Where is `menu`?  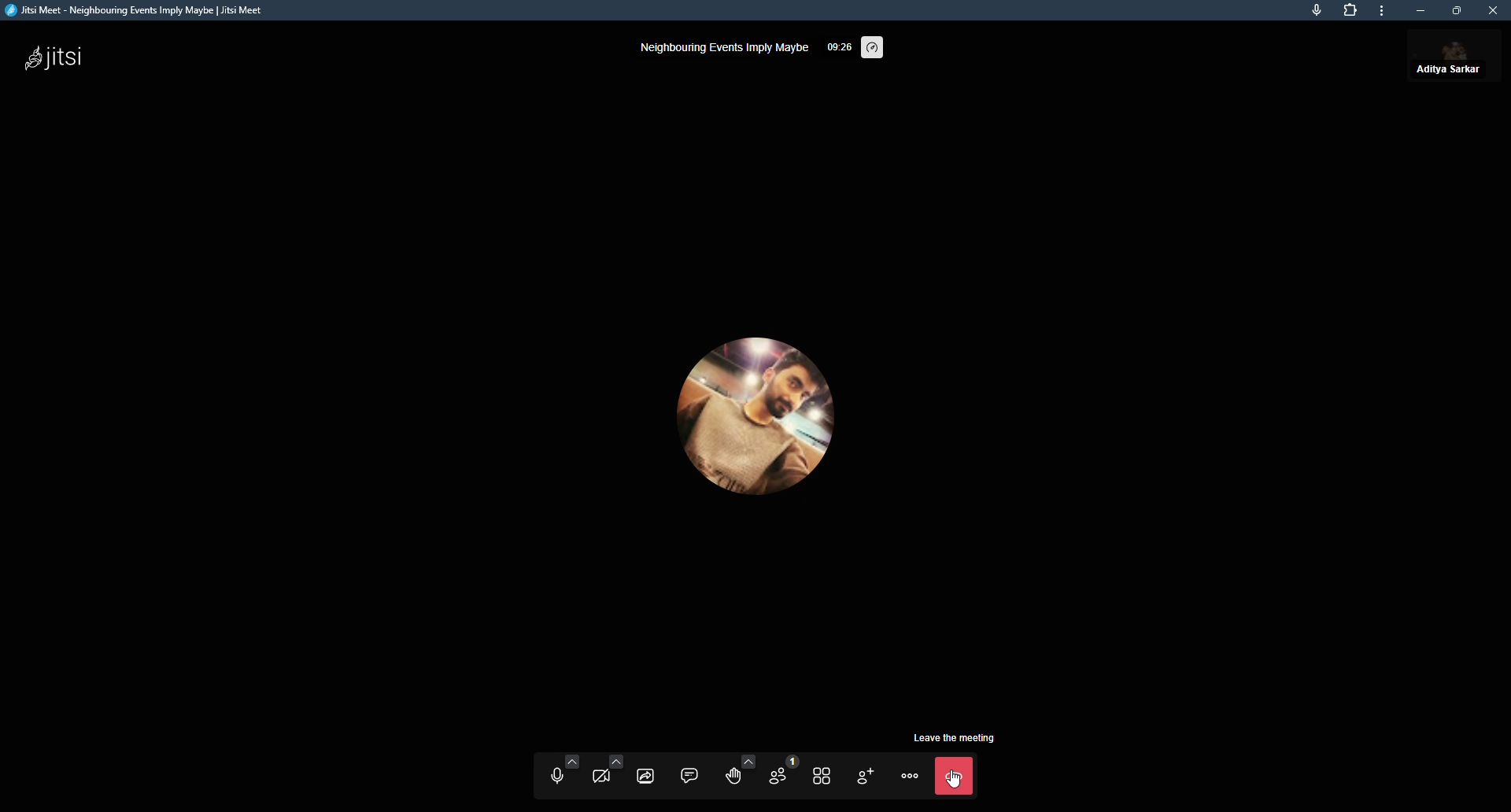 menu is located at coordinates (1387, 12).